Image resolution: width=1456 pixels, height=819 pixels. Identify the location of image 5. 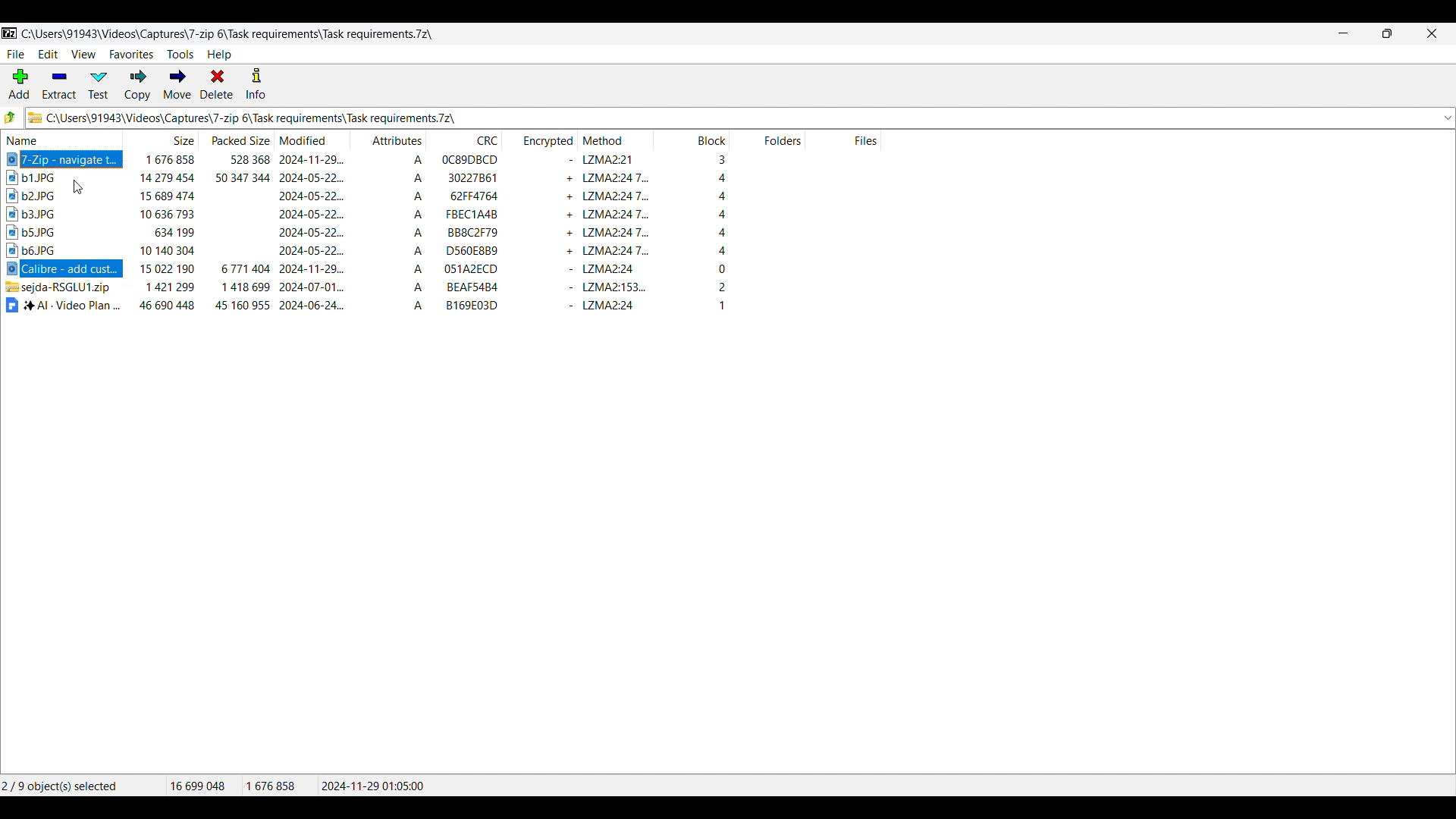
(39, 249).